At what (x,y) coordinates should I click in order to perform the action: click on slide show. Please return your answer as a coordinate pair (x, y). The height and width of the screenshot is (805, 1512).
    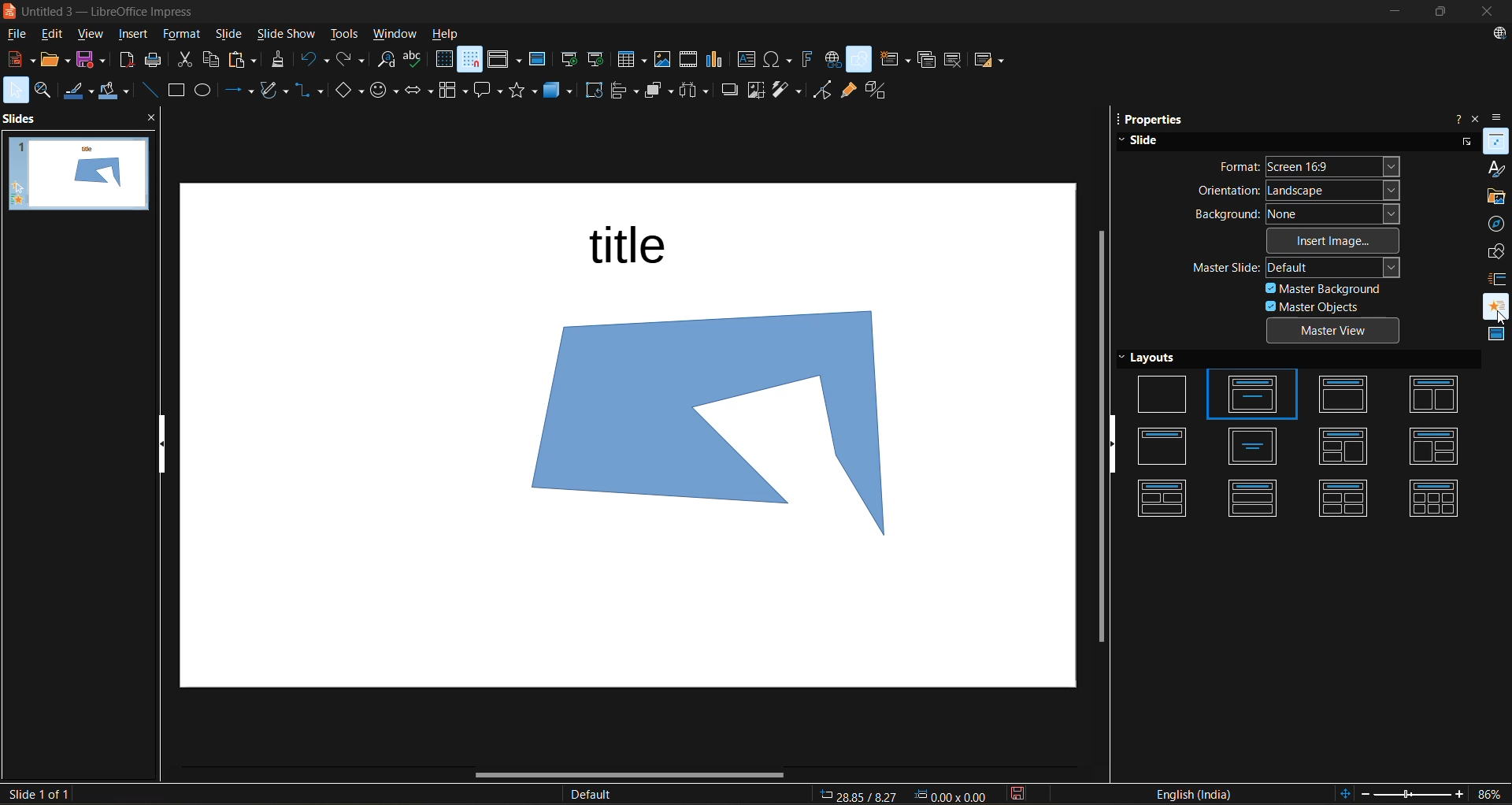
    Looking at the image, I should click on (286, 35).